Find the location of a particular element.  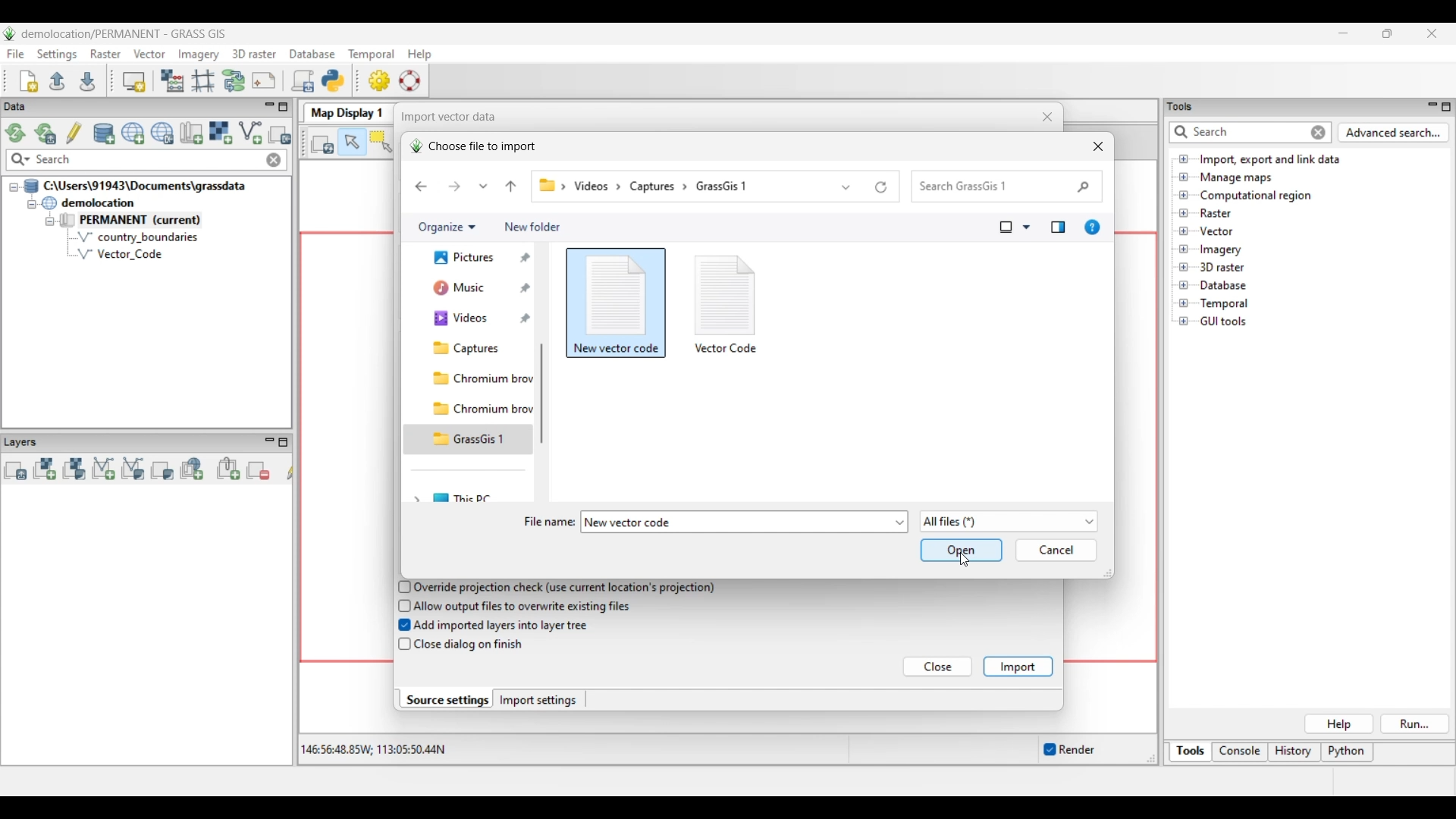

Minimize is located at coordinates (1343, 33).